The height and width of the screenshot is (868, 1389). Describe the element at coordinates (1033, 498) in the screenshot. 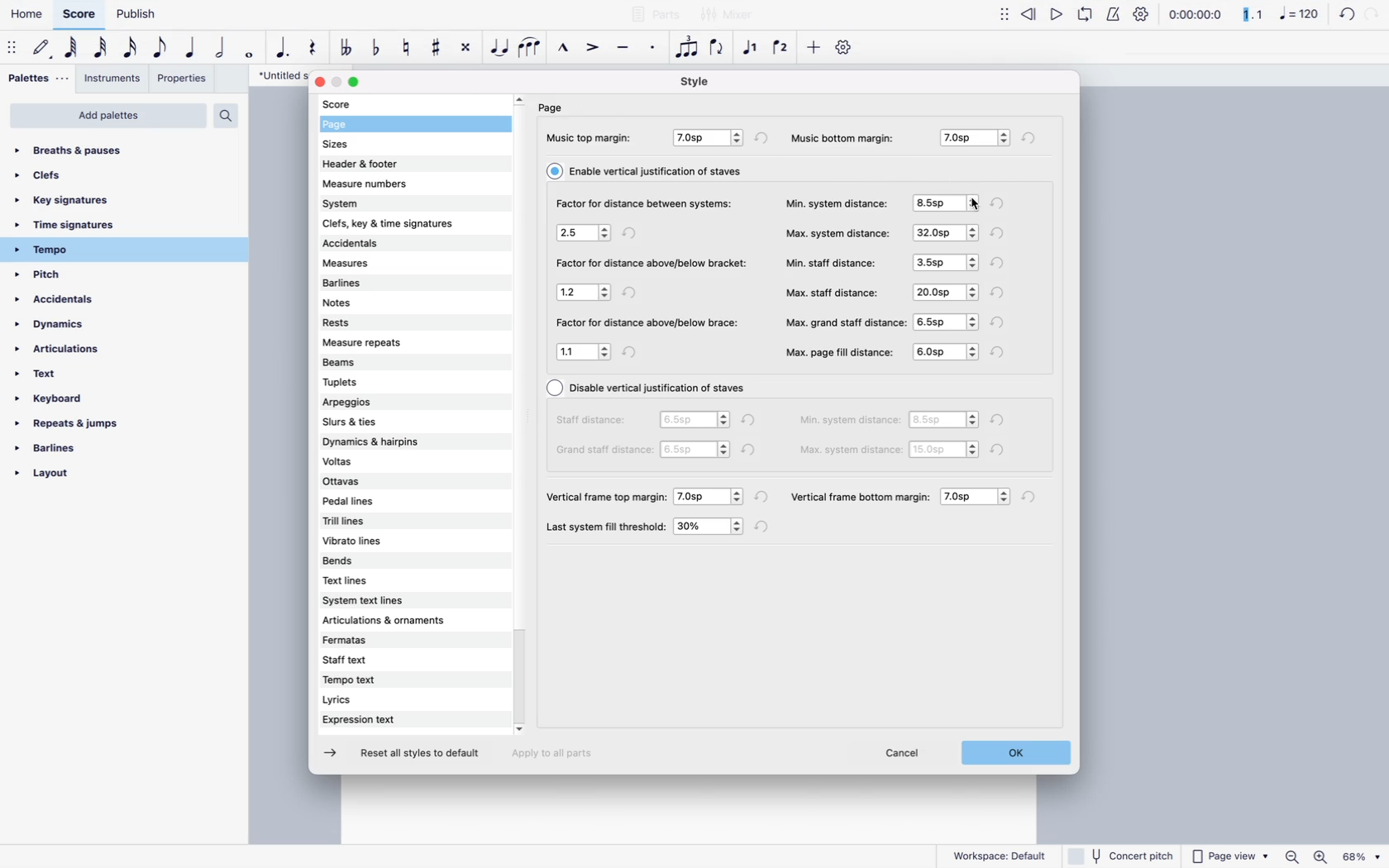

I see `refresh` at that location.